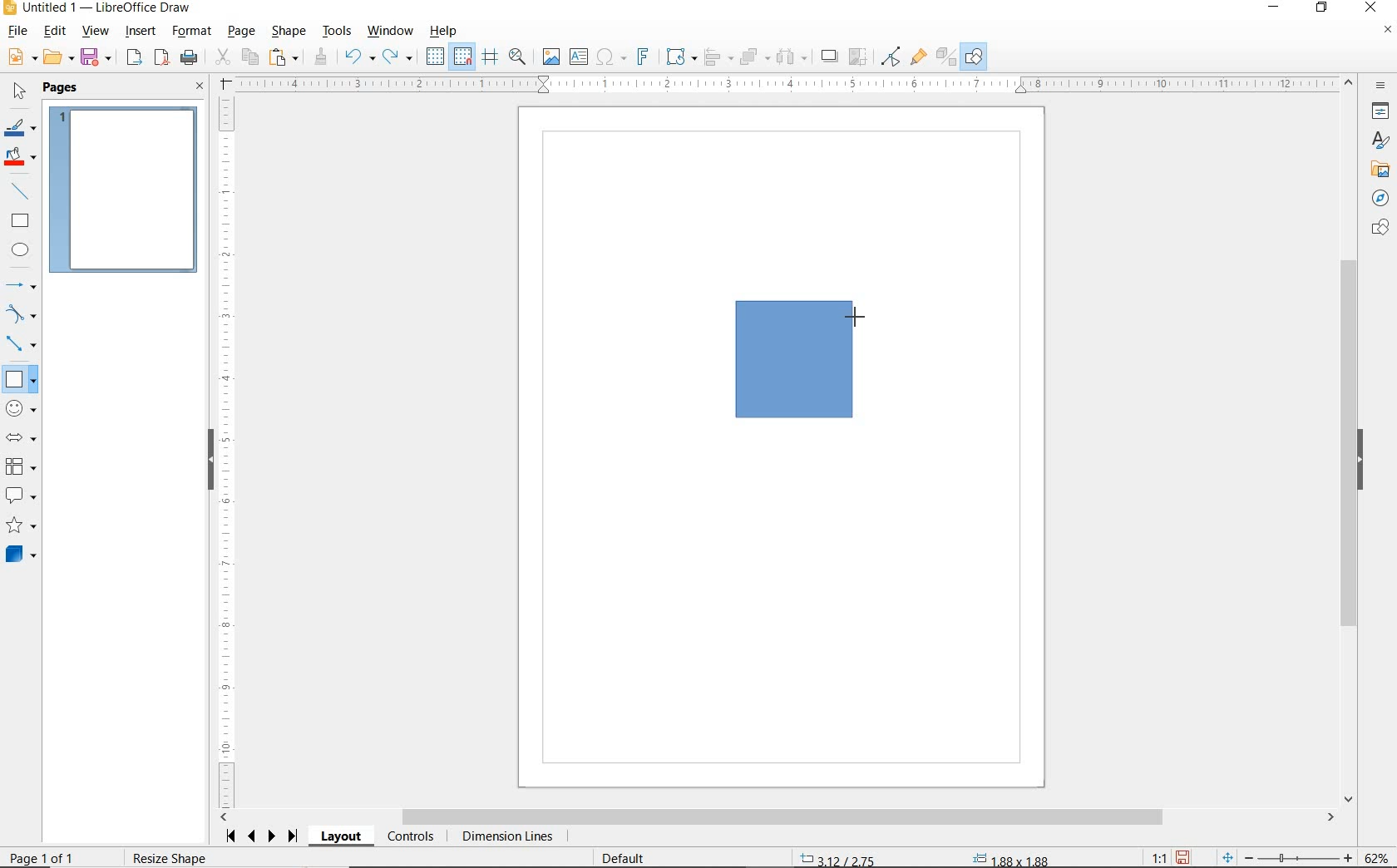 The height and width of the screenshot is (868, 1397). Describe the element at coordinates (610, 57) in the screenshot. I see `INSERT SPECIAL CHARACTERS` at that location.